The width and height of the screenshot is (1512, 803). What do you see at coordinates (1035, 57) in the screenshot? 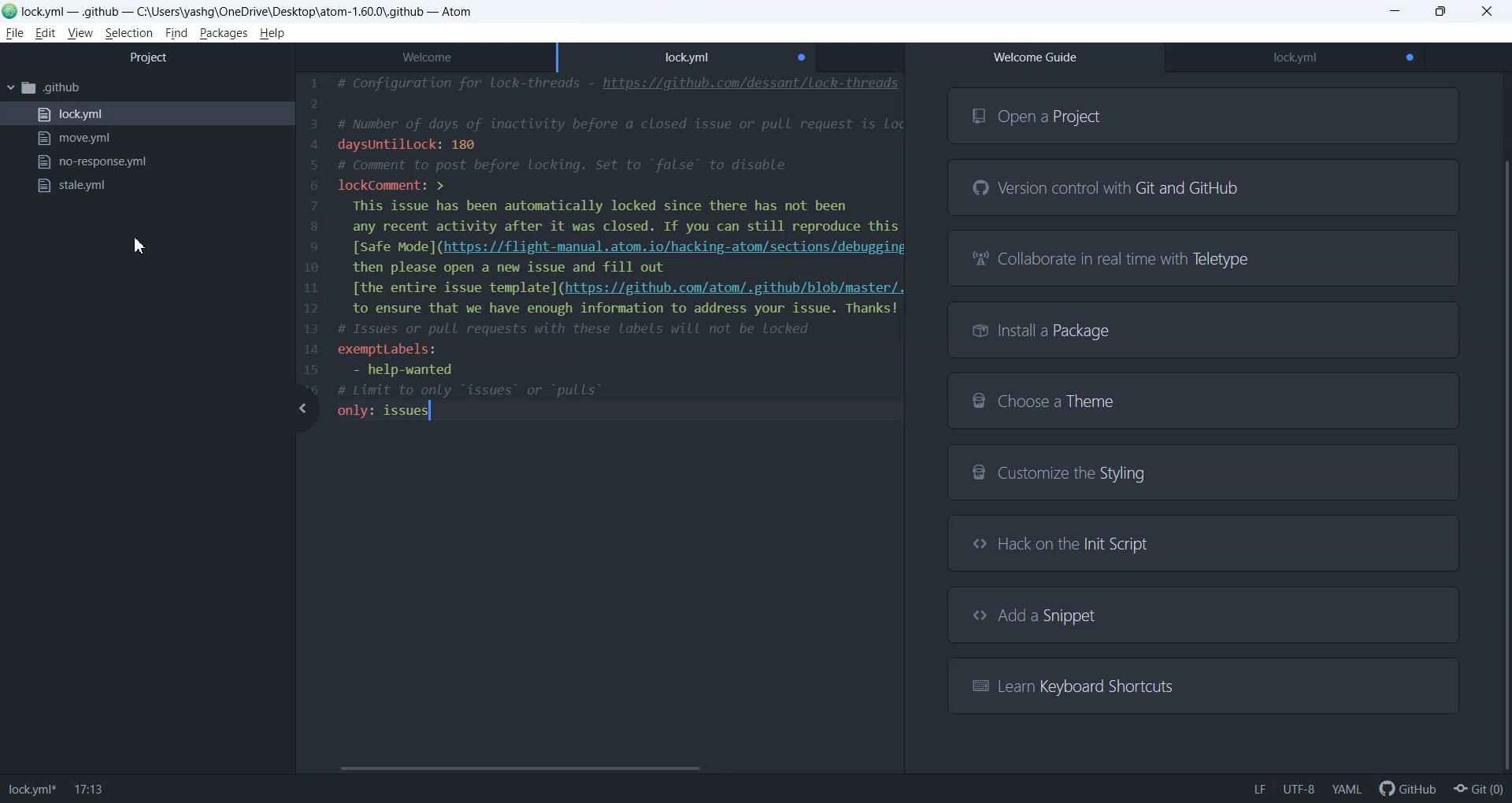
I see `Welcome guide` at bounding box center [1035, 57].